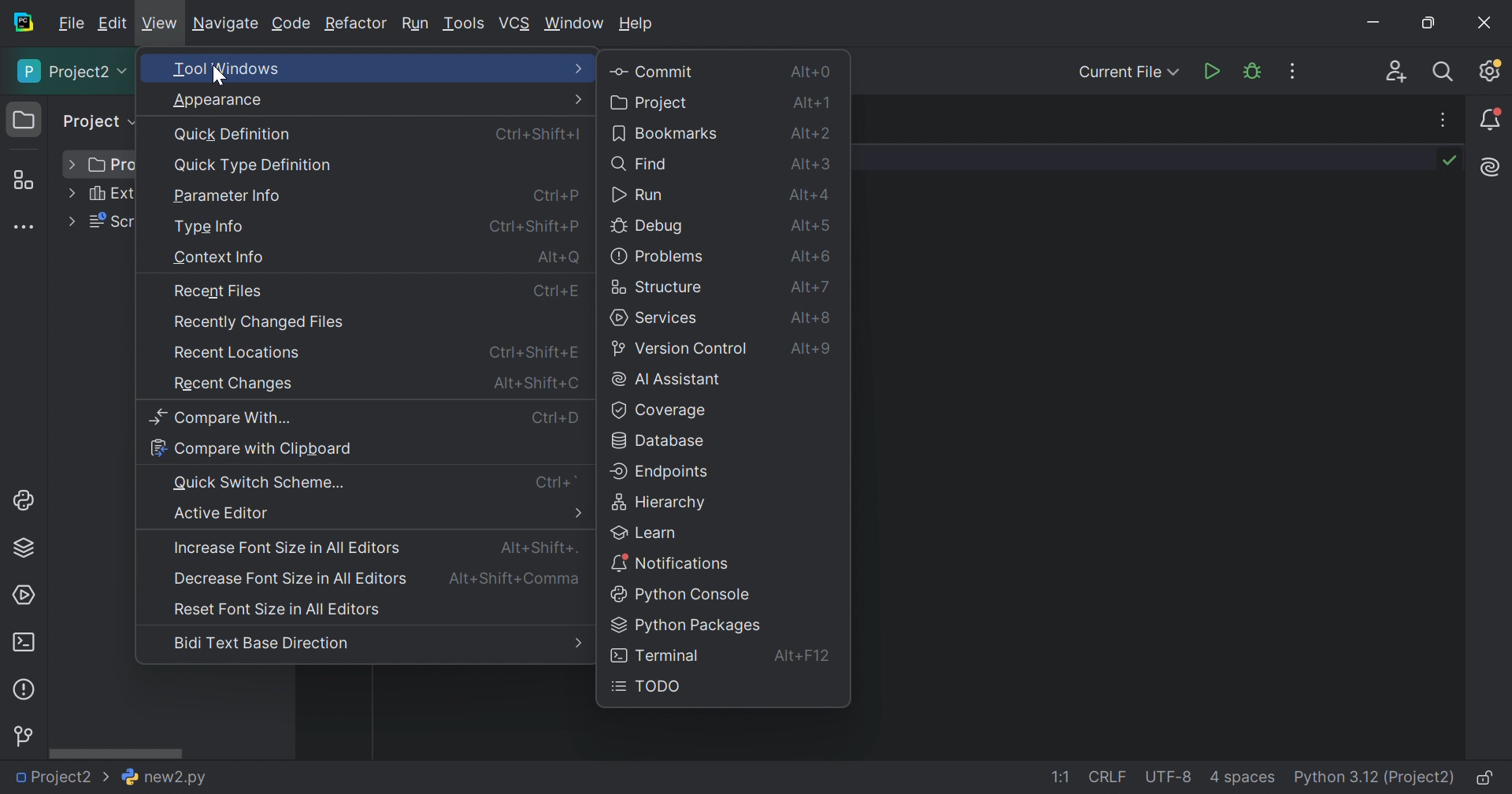 The width and height of the screenshot is (1512, 794). Describe the element at coordinates (1058, 777) in the screenshot. I see `1:1` at that location.